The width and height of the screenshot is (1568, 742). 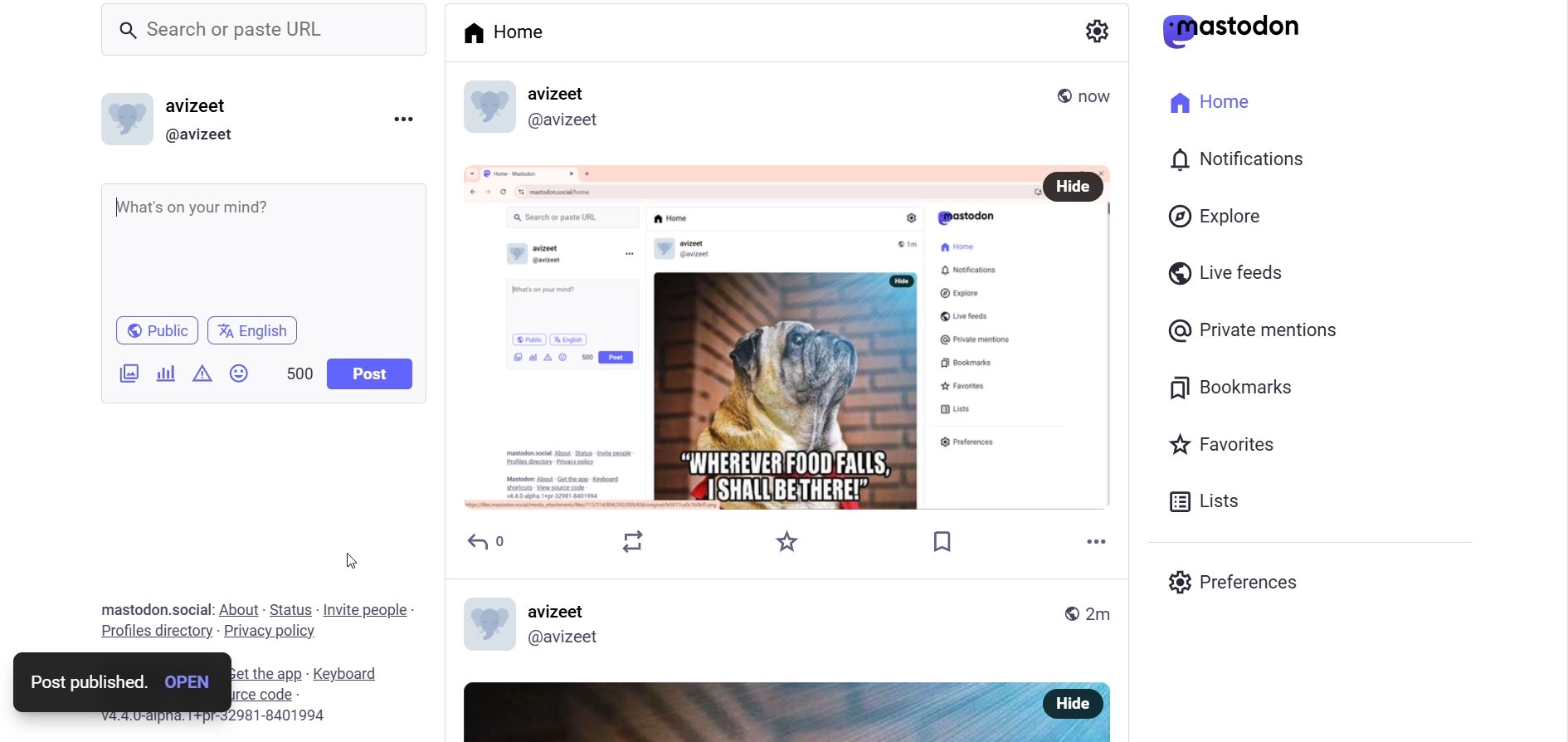 I want to click on @avizeet, so click(x=576, y=638).